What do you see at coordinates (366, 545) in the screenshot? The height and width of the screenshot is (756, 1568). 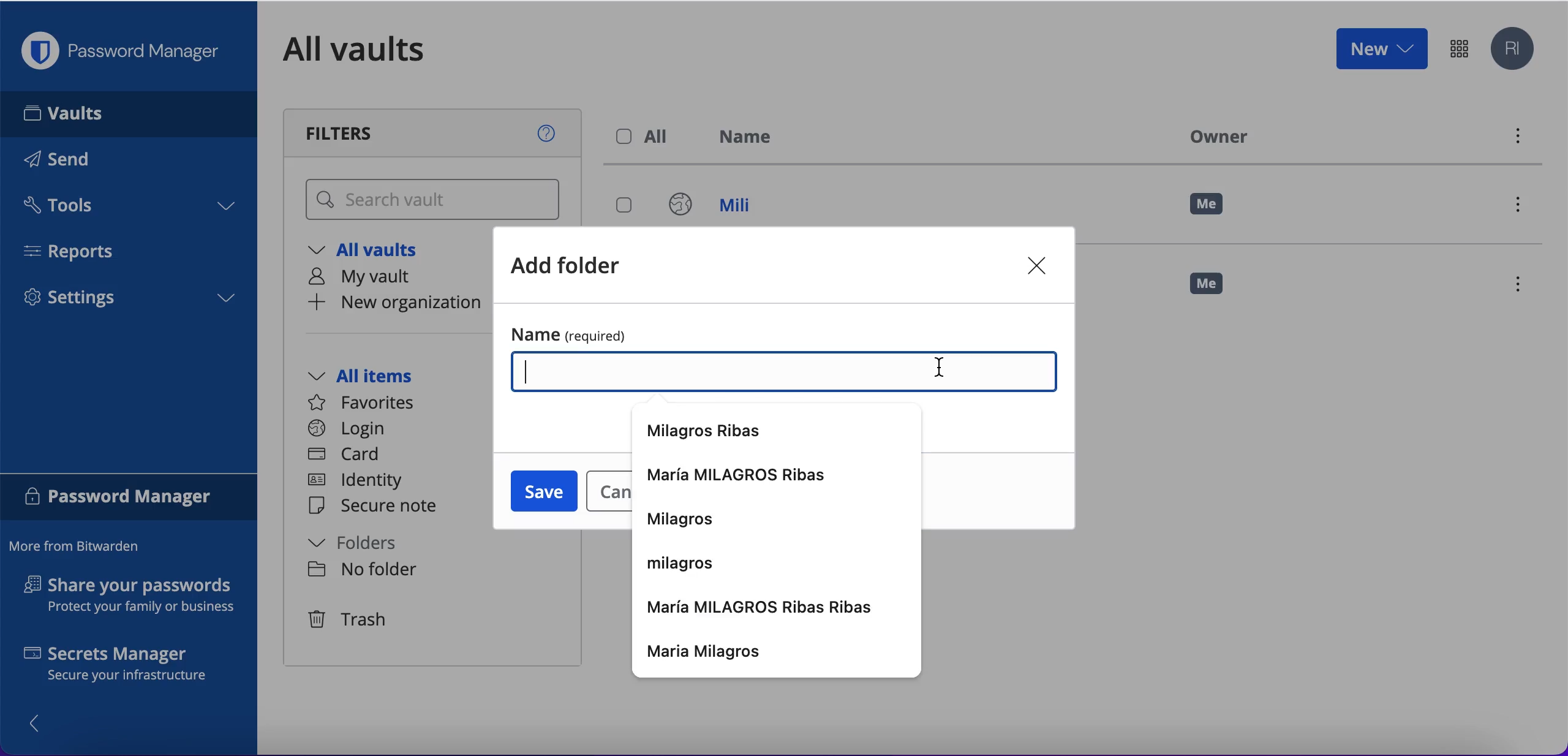 I see `folders` at bounding box center [366, 545].